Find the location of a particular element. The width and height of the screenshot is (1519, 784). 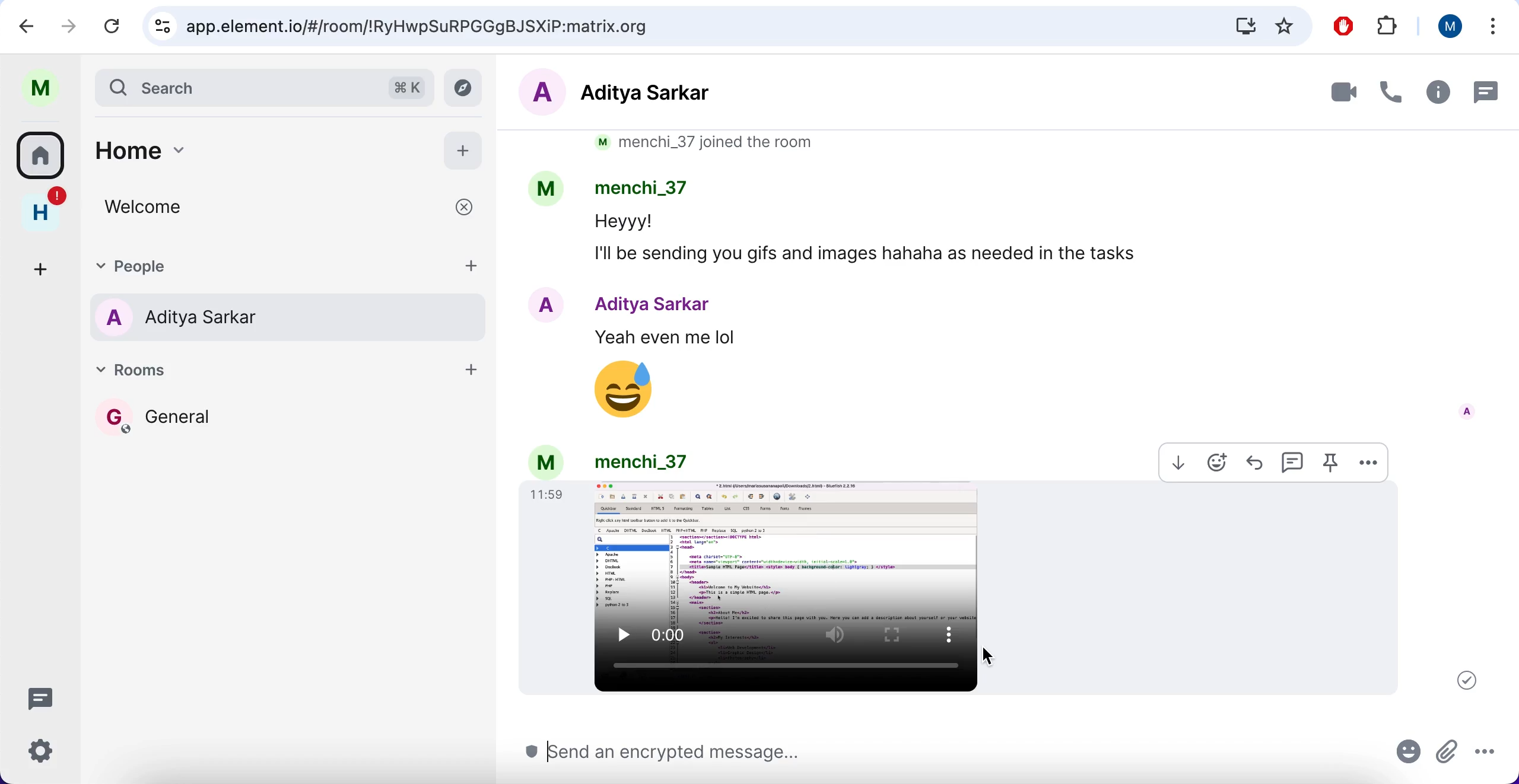

download is located at coordinates (1174, 462).